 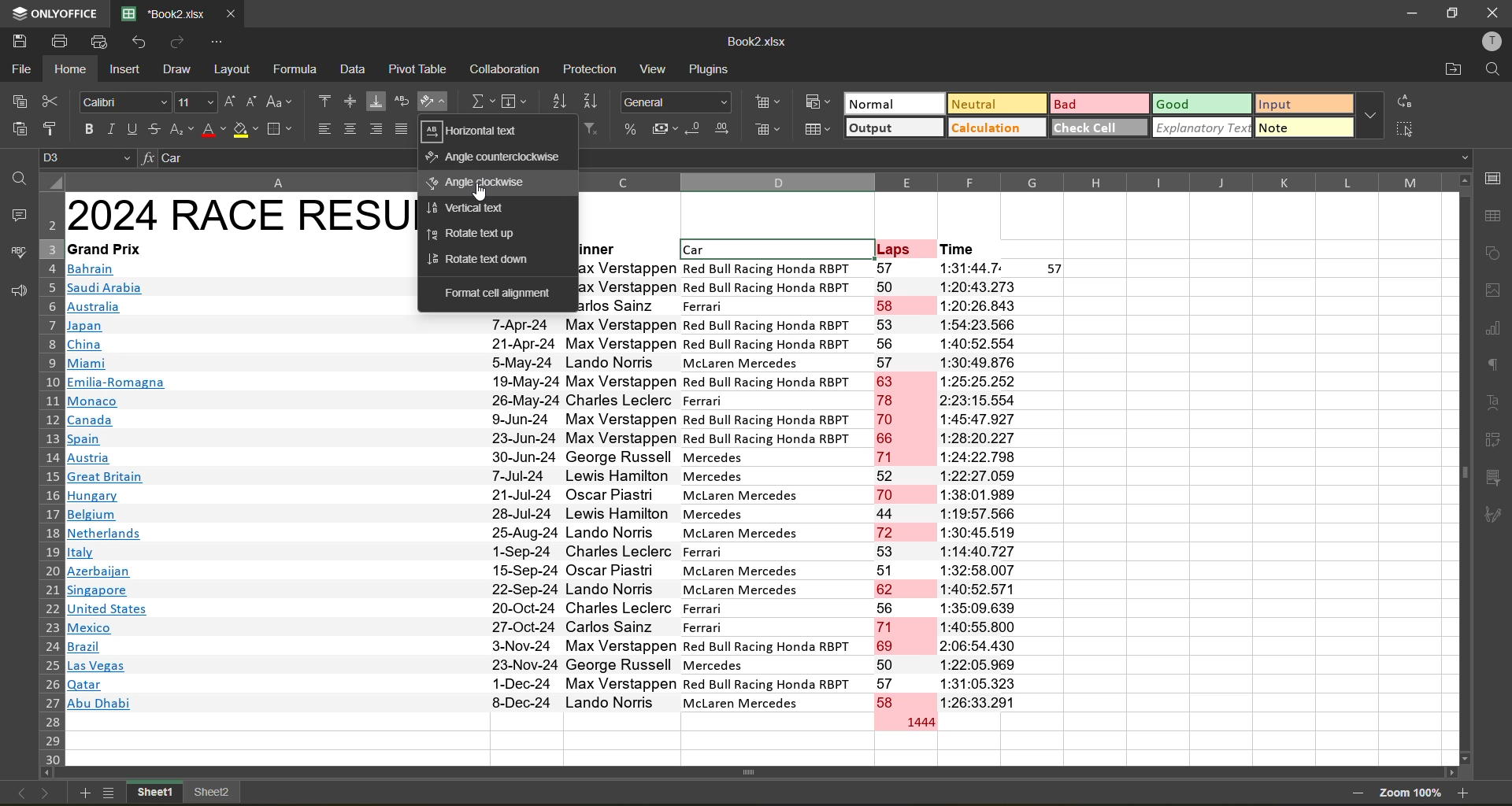 I want to click on formula, so click(x=297, y=72).